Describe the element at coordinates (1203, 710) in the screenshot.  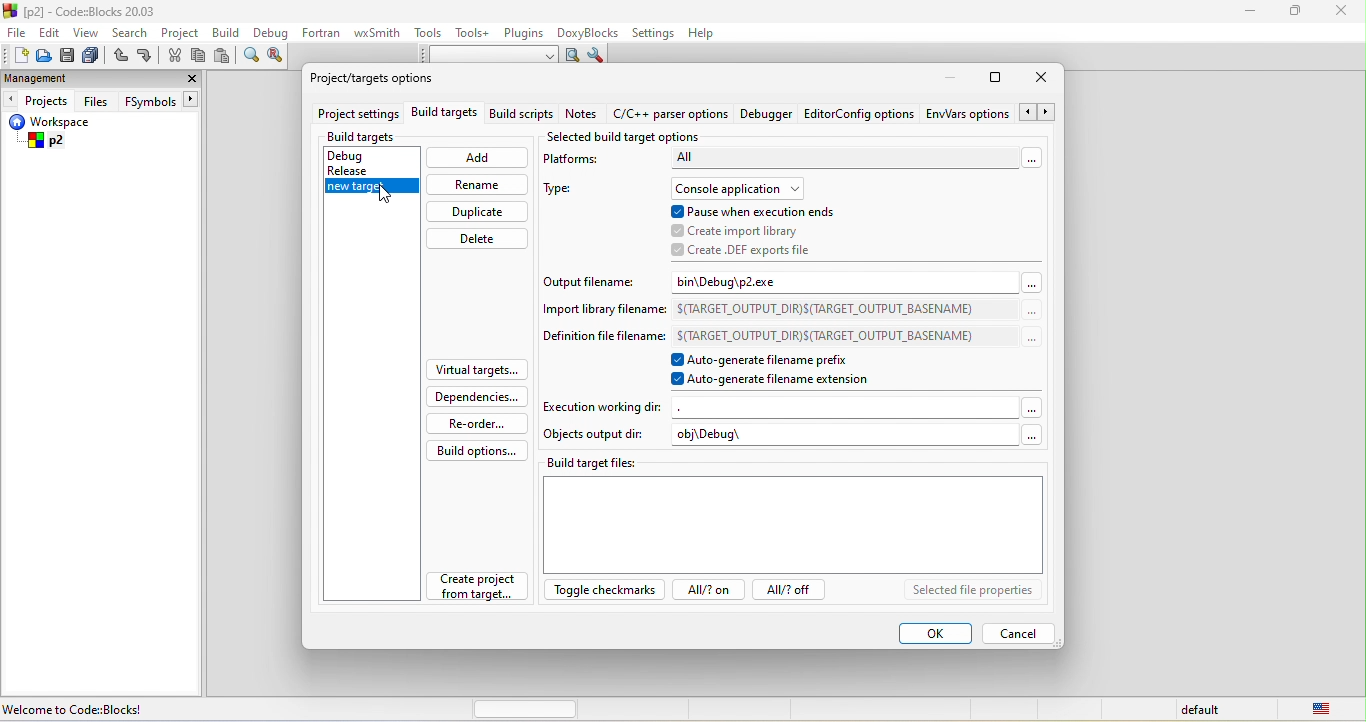
I see `default` at that location.